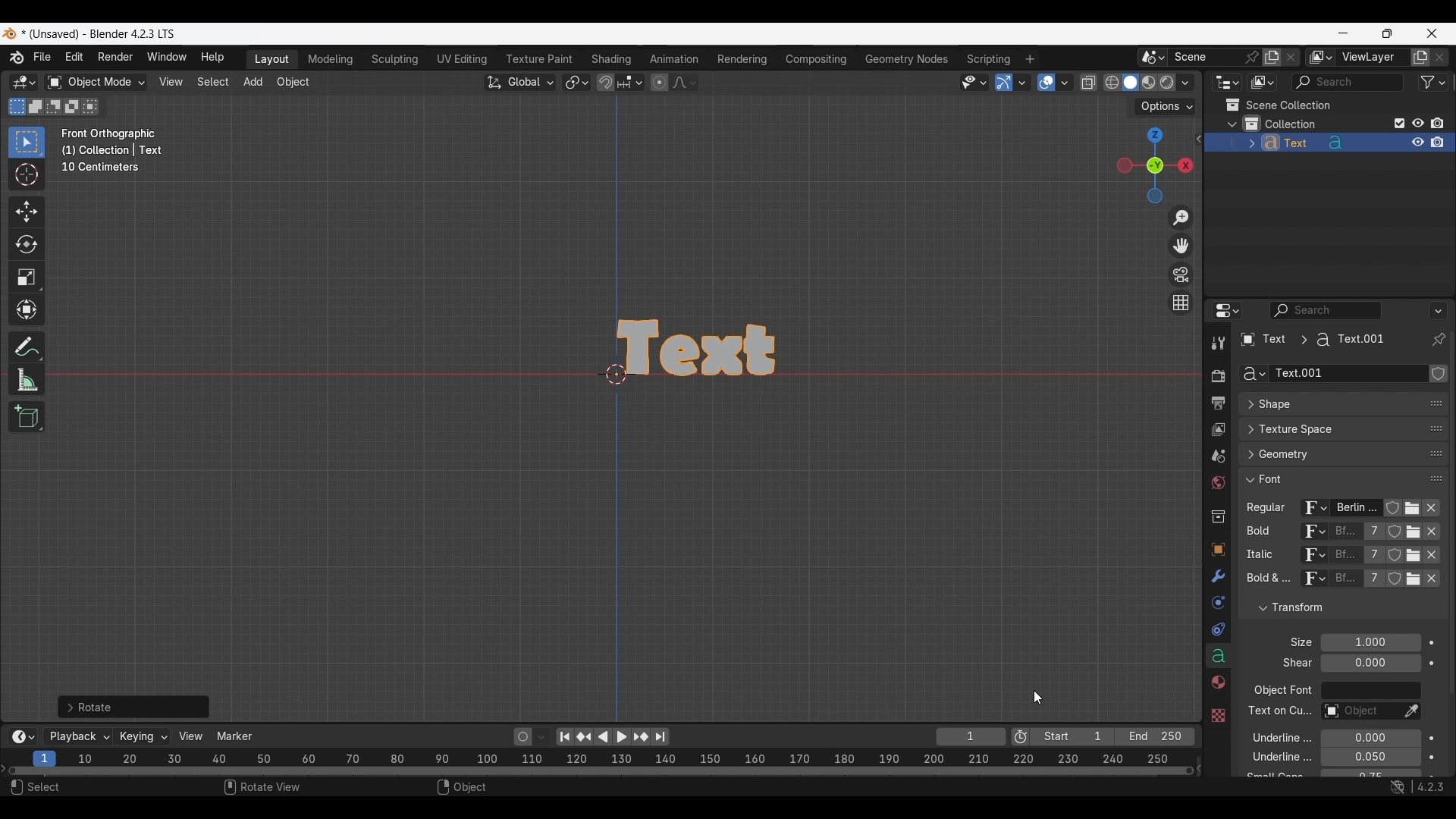 This screenshot has width=1456, height=819. I want to click on Toggle pin ID, so click(1438, 340).